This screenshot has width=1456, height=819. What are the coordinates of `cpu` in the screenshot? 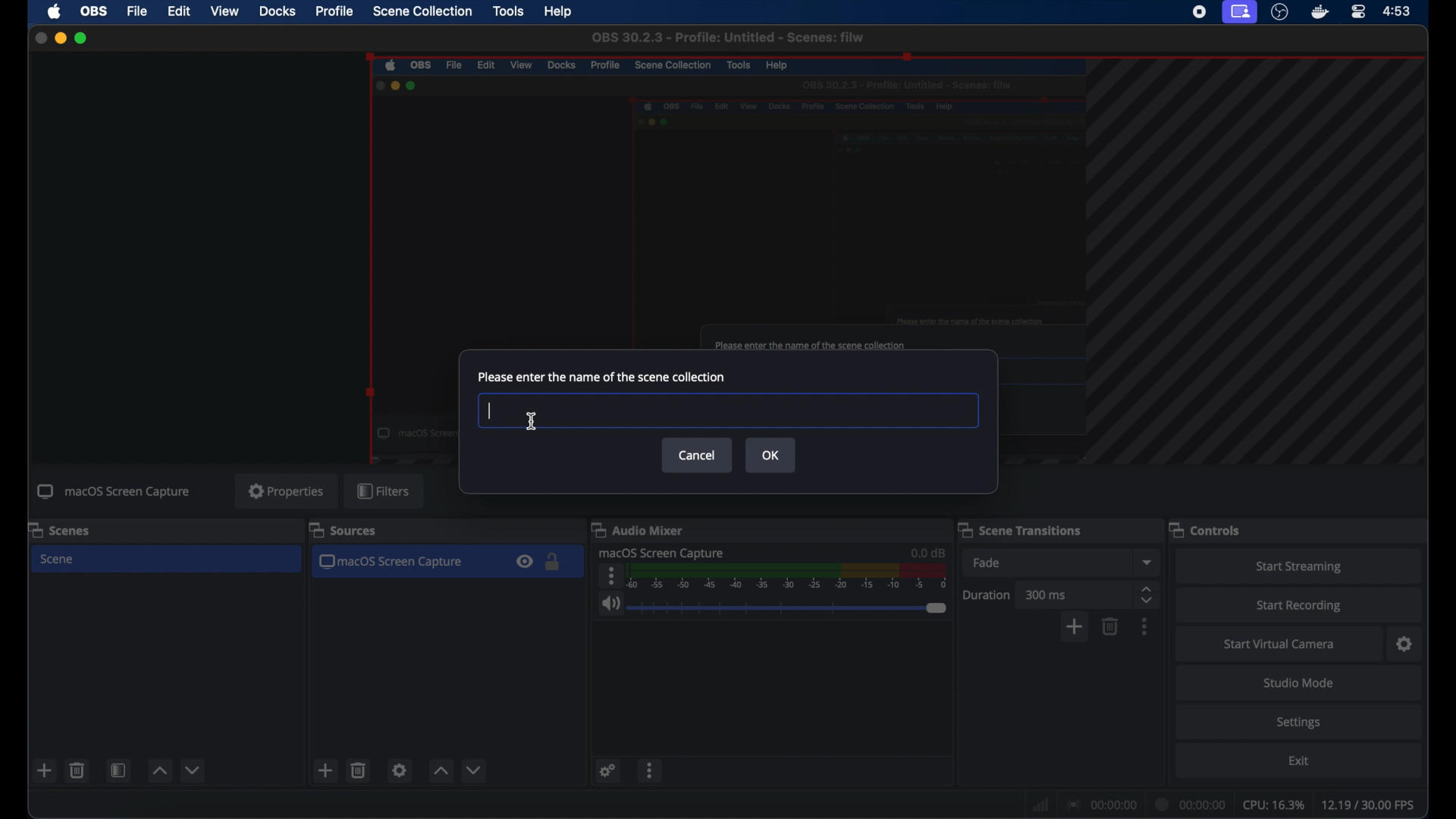 It's located at (1273, 804).